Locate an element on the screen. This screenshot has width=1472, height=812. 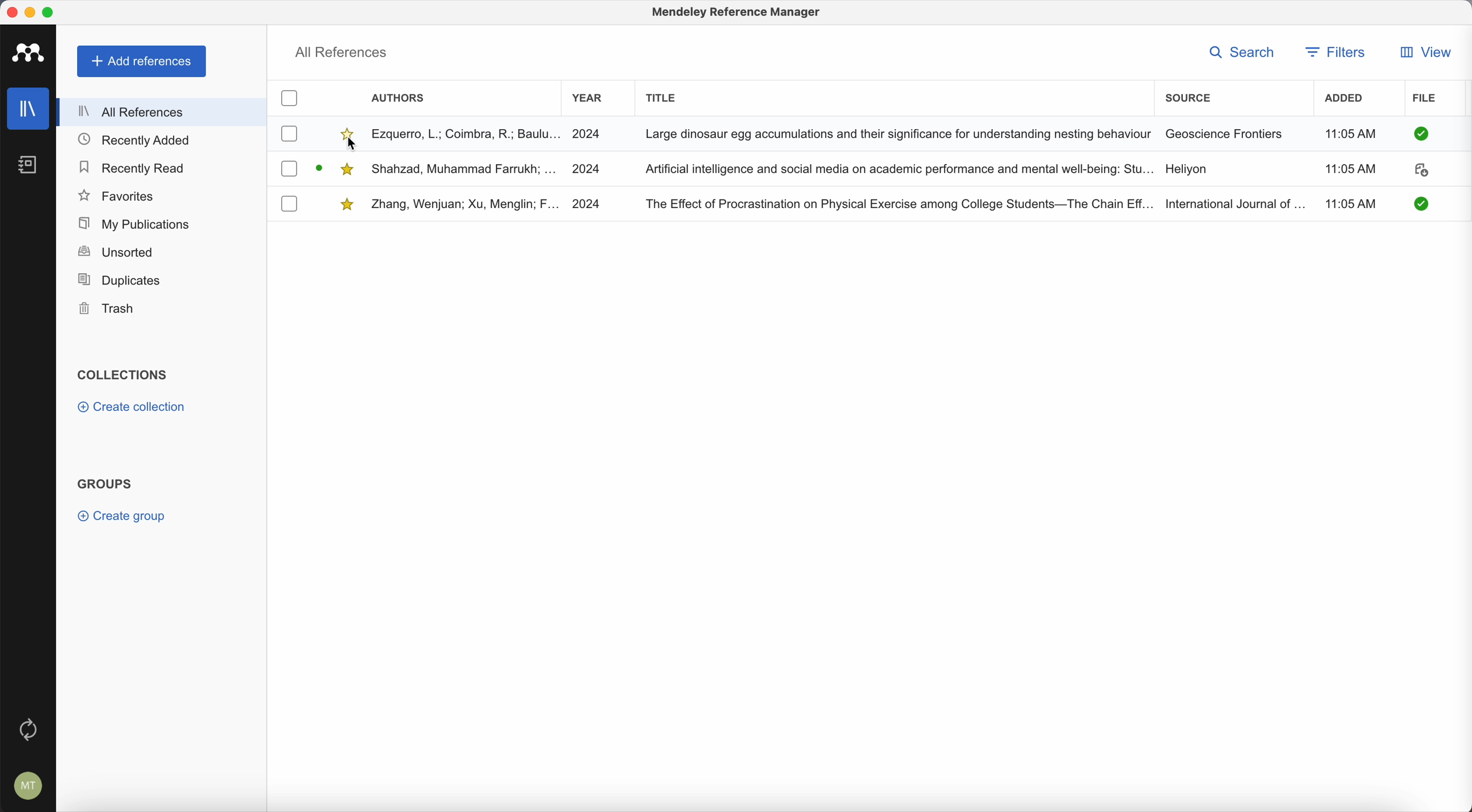
checkbox is located at coordinates (289, 99).